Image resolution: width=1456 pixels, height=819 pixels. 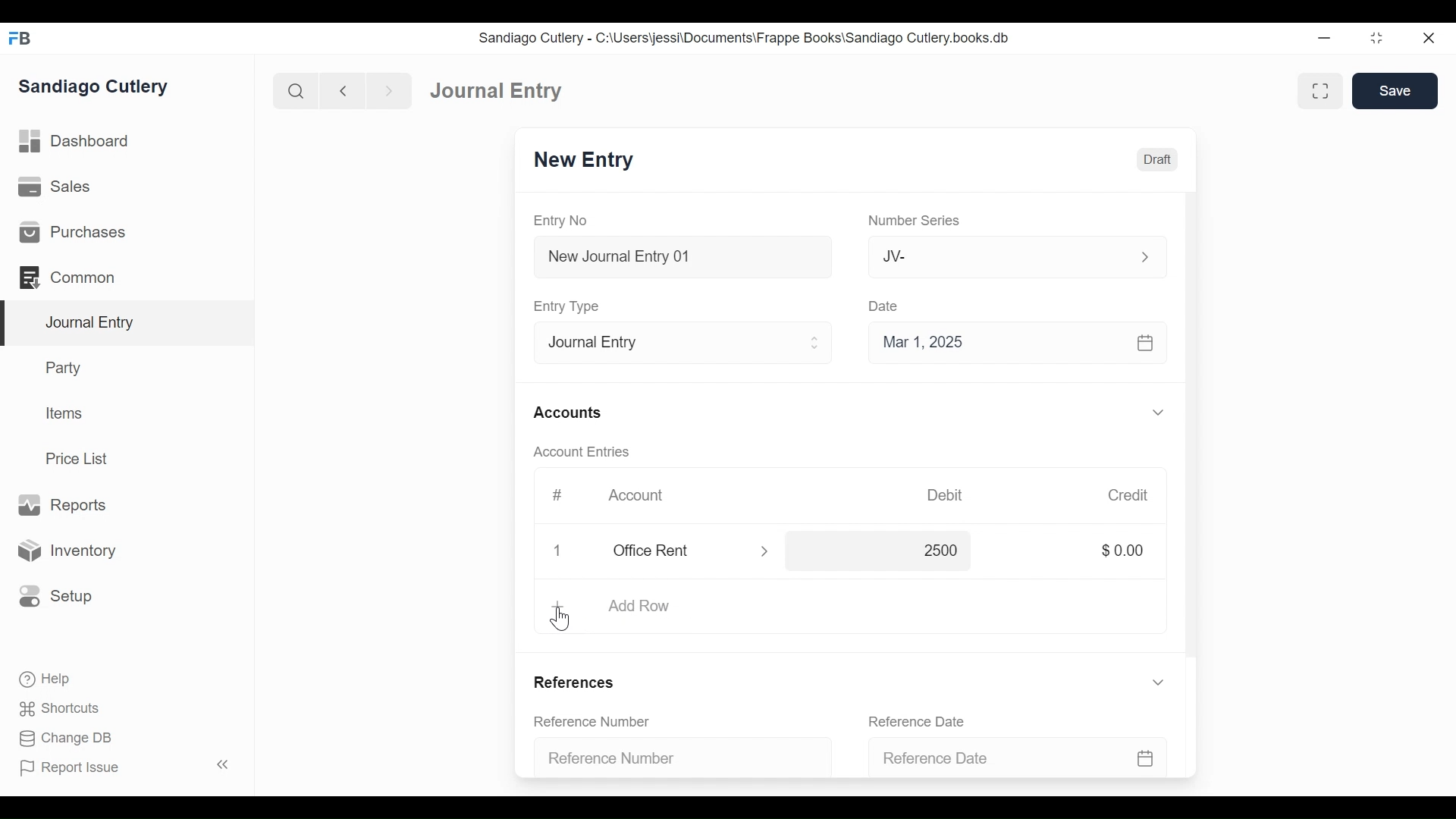 What do you see at coordinates (293, 88) in the screenshot?
I see `search ` at bounding box center [293, 88].